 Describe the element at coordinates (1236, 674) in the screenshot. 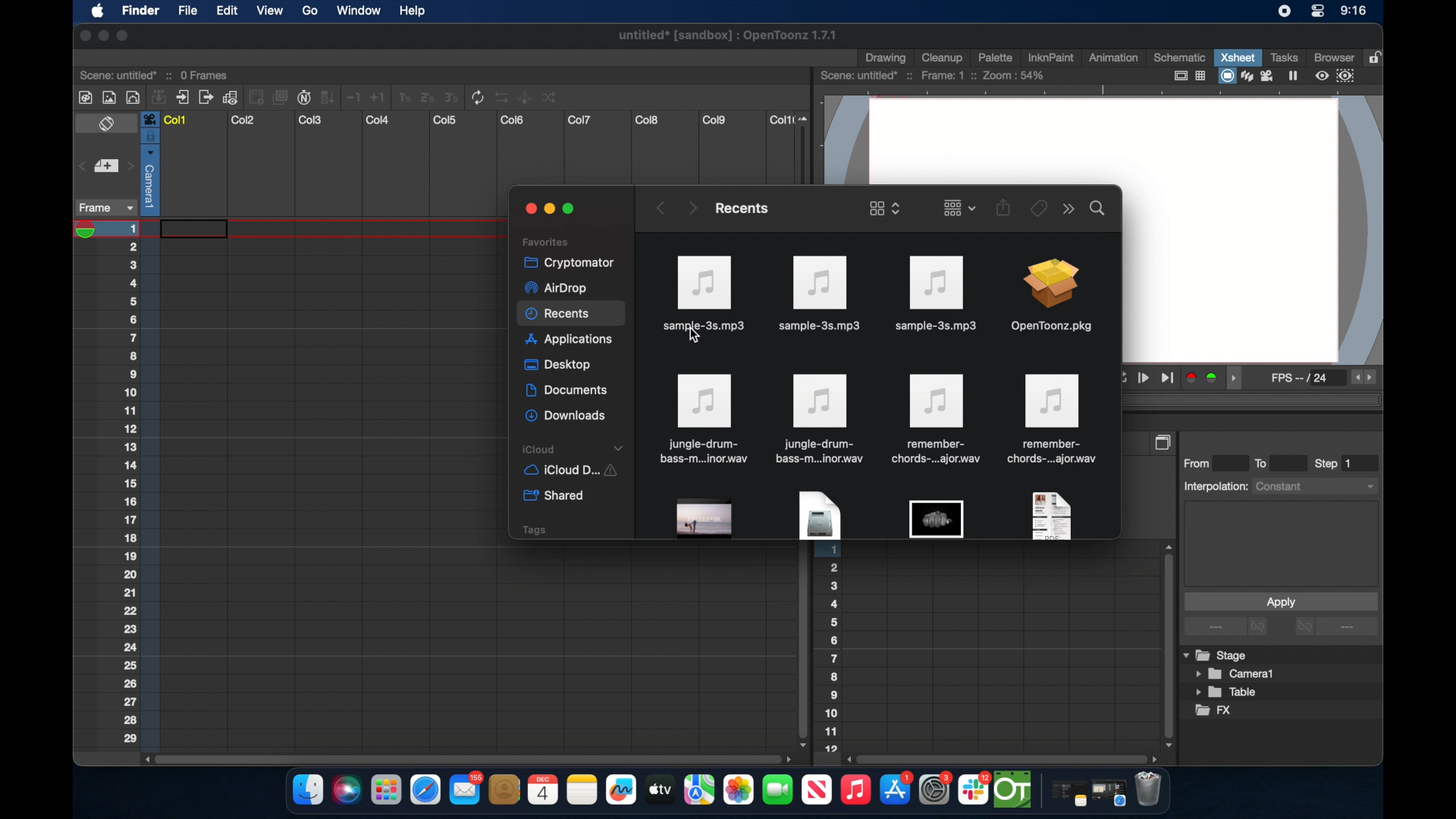

I see `camera1` at that location.